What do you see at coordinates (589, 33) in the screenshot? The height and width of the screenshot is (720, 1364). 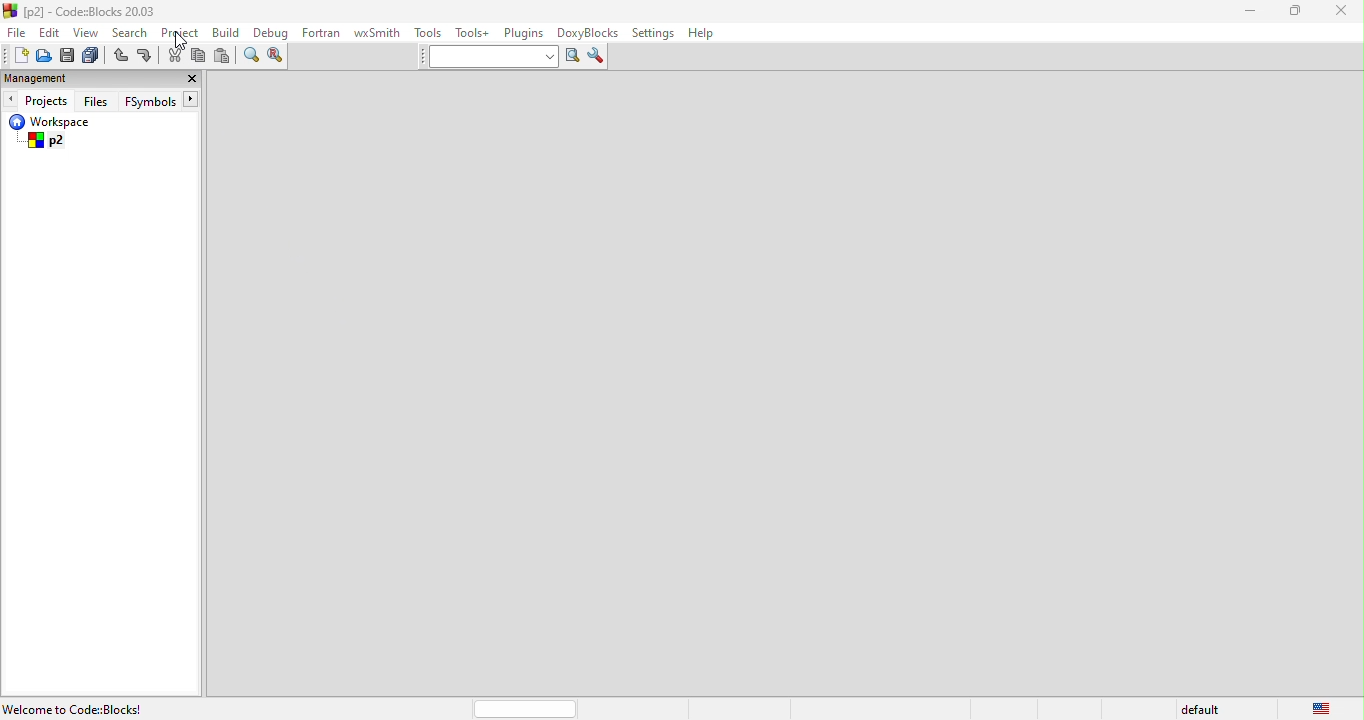 I see `doxyblocks` at bounding box center [589, 33].